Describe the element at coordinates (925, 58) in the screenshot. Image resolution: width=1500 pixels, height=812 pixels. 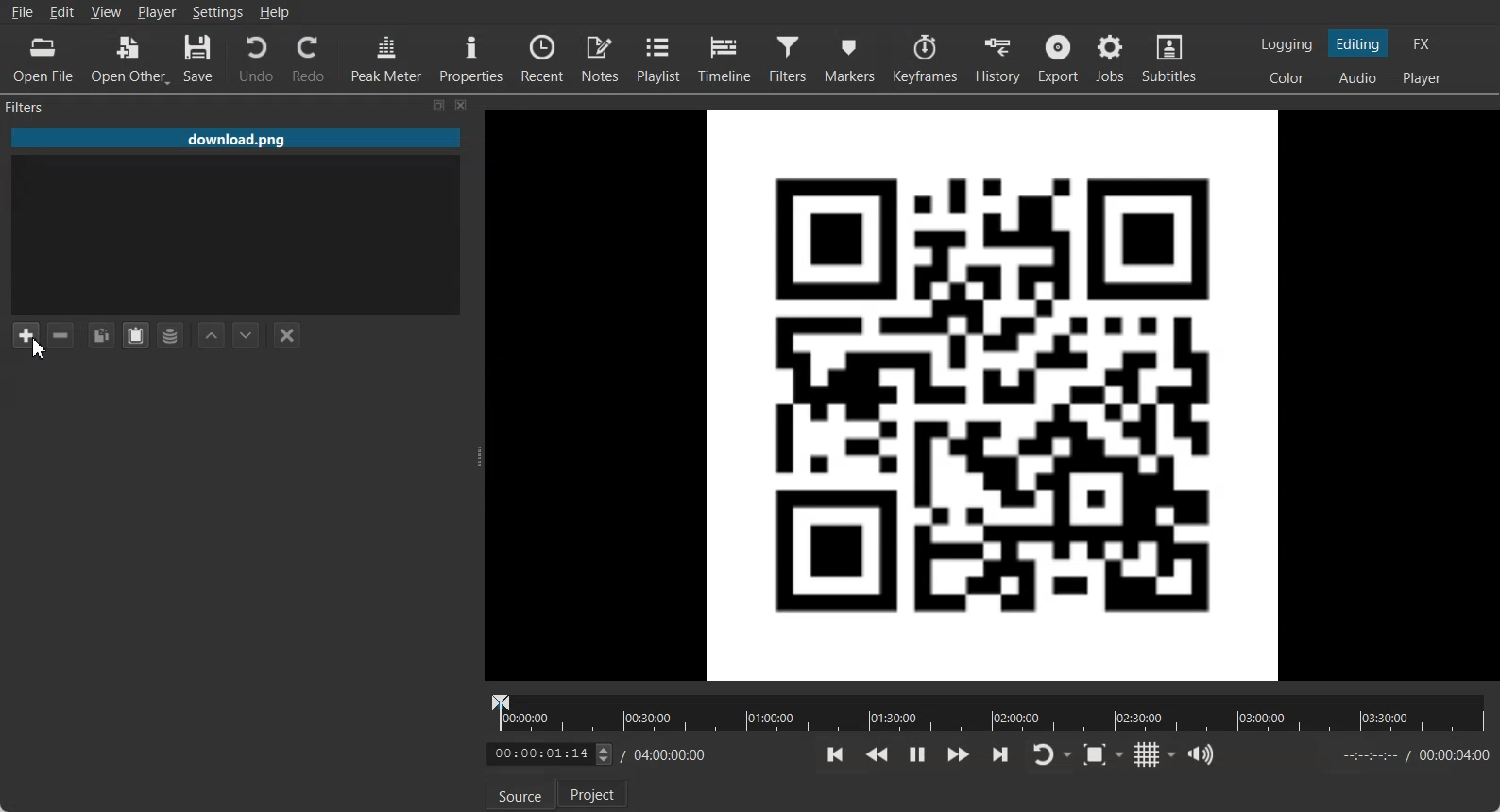
I see `Keyframes` at that location.